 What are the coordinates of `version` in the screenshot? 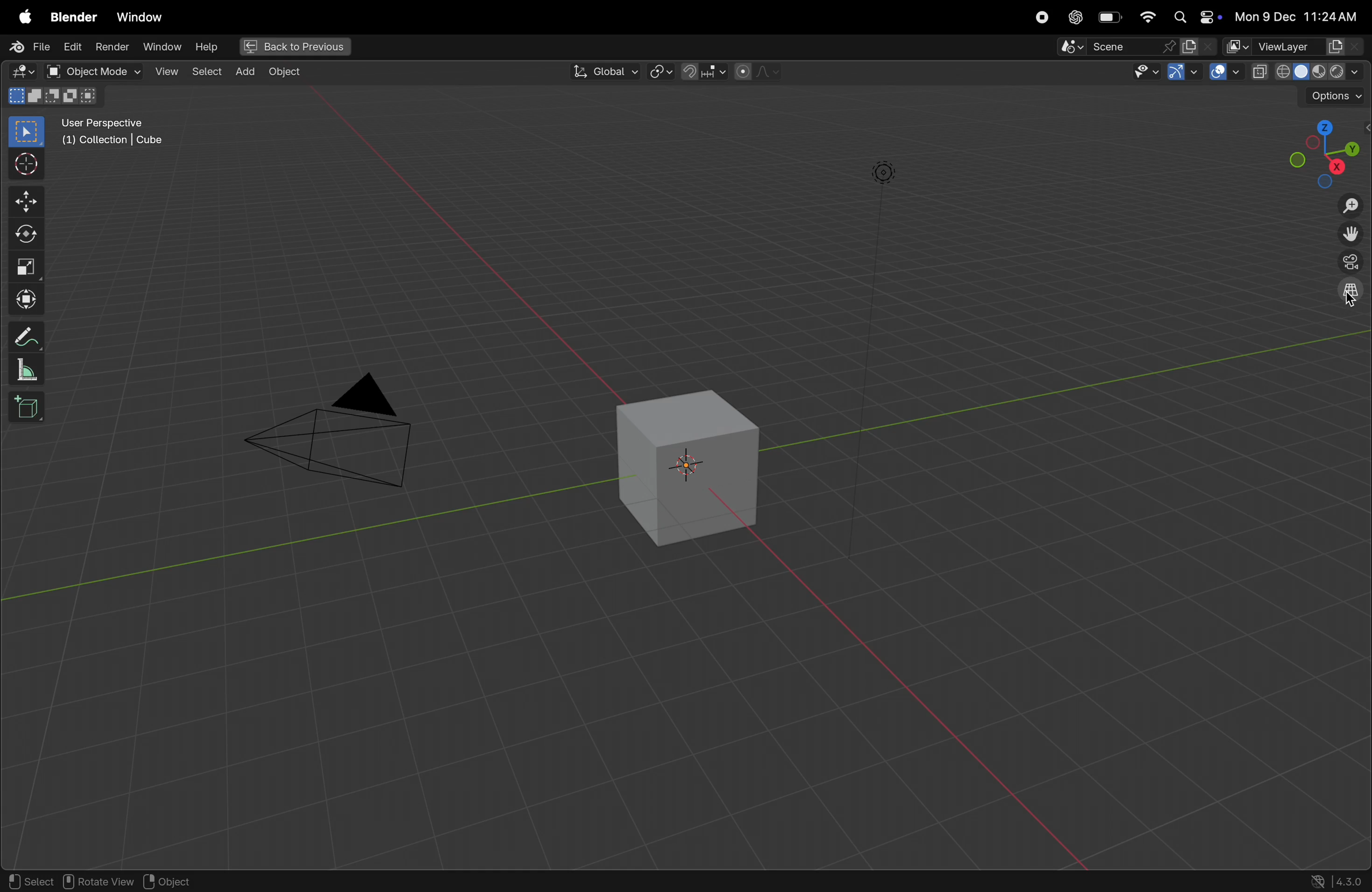 It's located at (1335, 881).